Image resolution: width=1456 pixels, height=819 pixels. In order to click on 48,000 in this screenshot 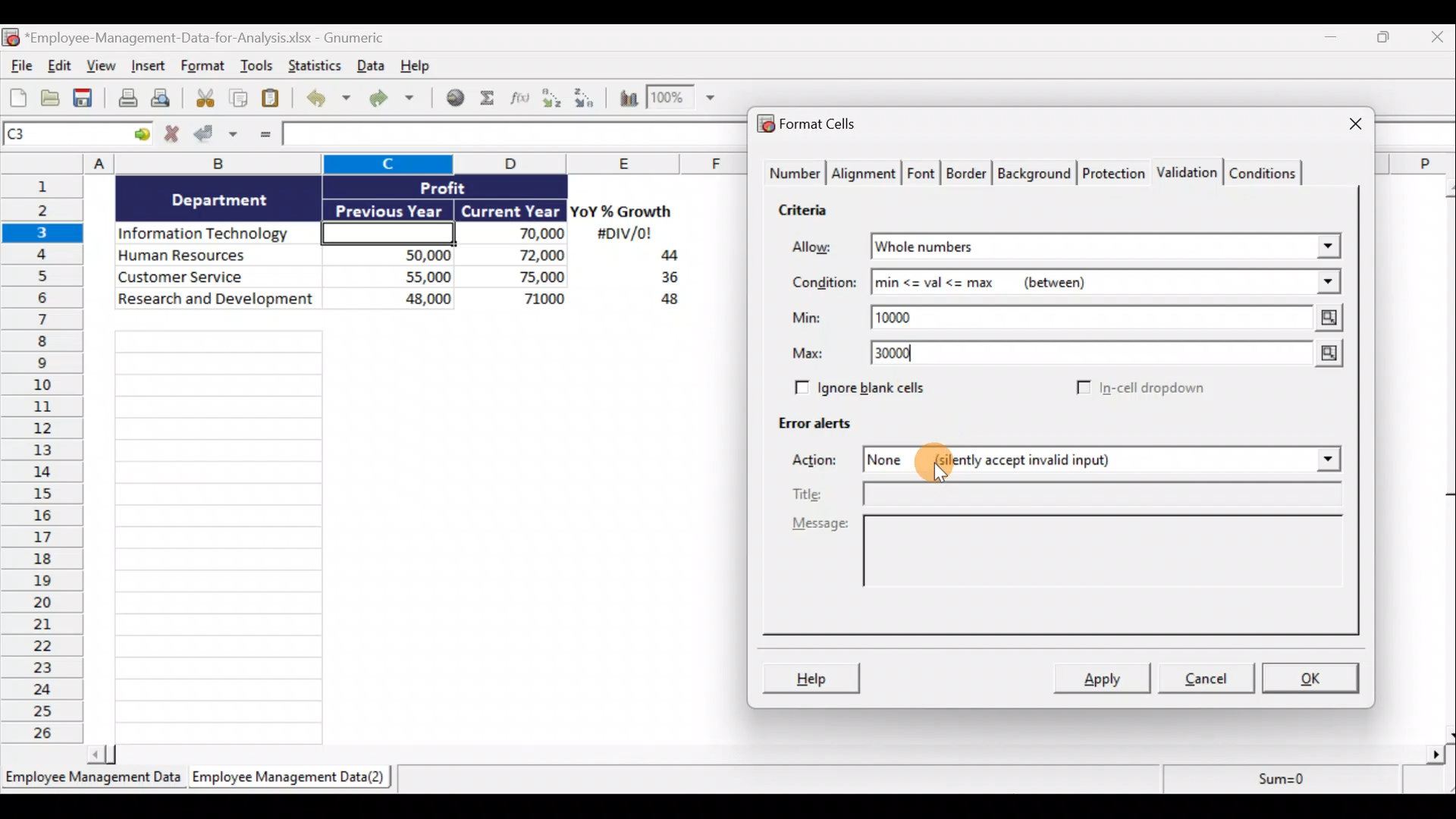, I will do `click(397, 301)`.